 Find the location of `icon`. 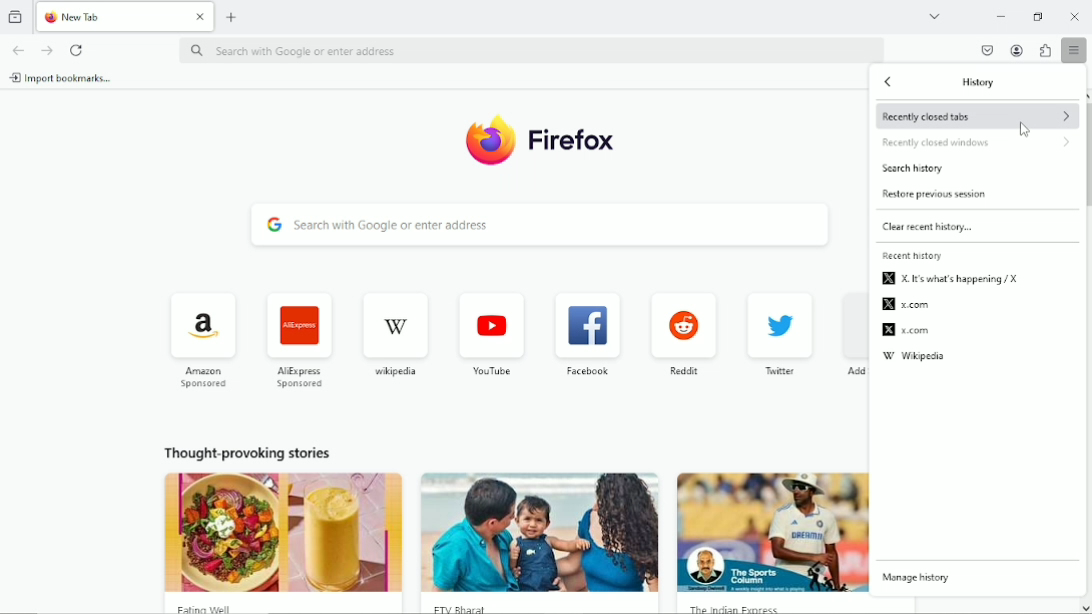

icon is located at coordinates (297, 328).